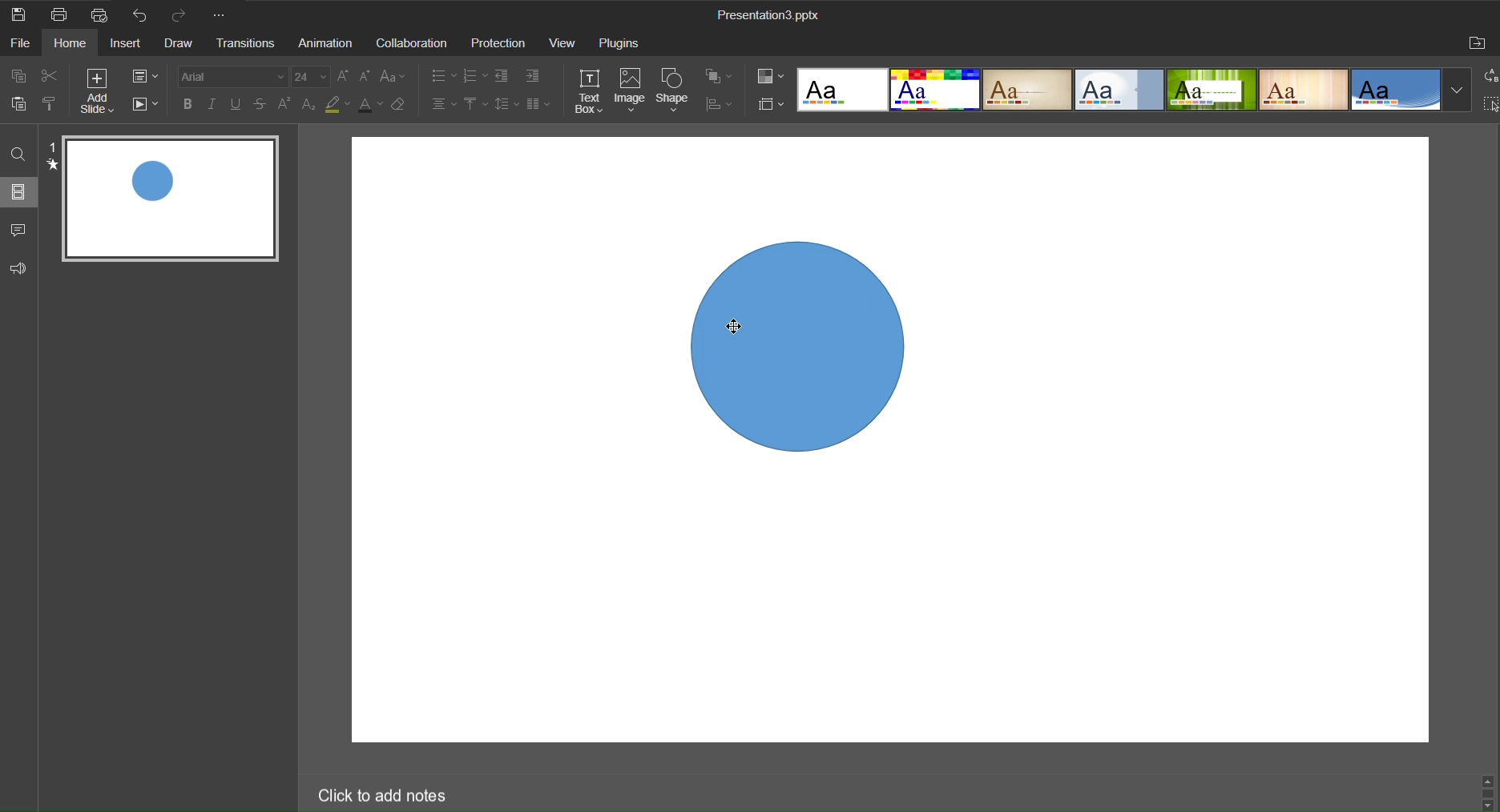  What do you see at coordinates (441, 106) in the screenshot?
I see `Alignment` at bounding box center [441, 106].